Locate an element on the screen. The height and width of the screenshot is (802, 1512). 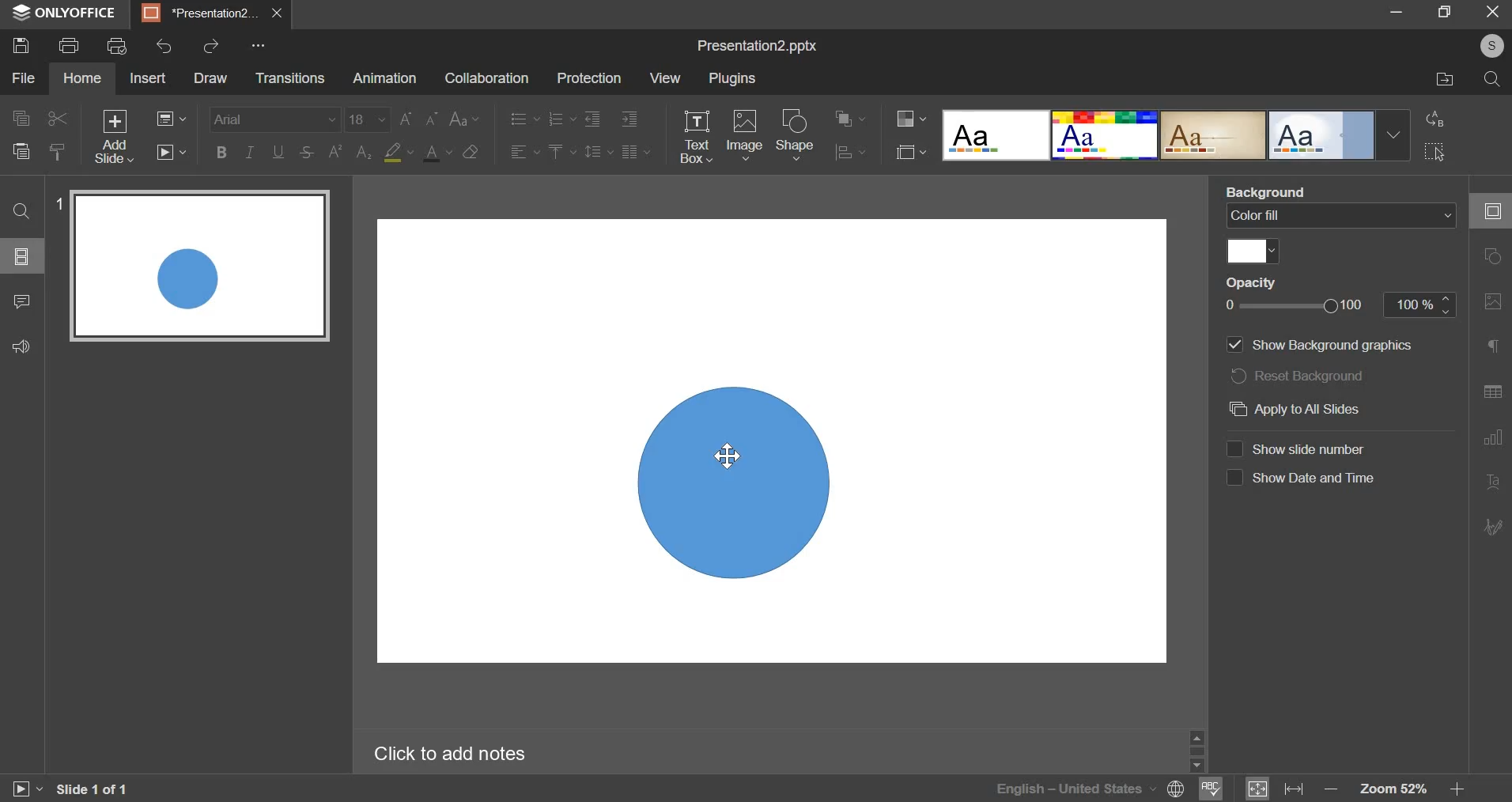
bullets is located at coordinates (524, 118).